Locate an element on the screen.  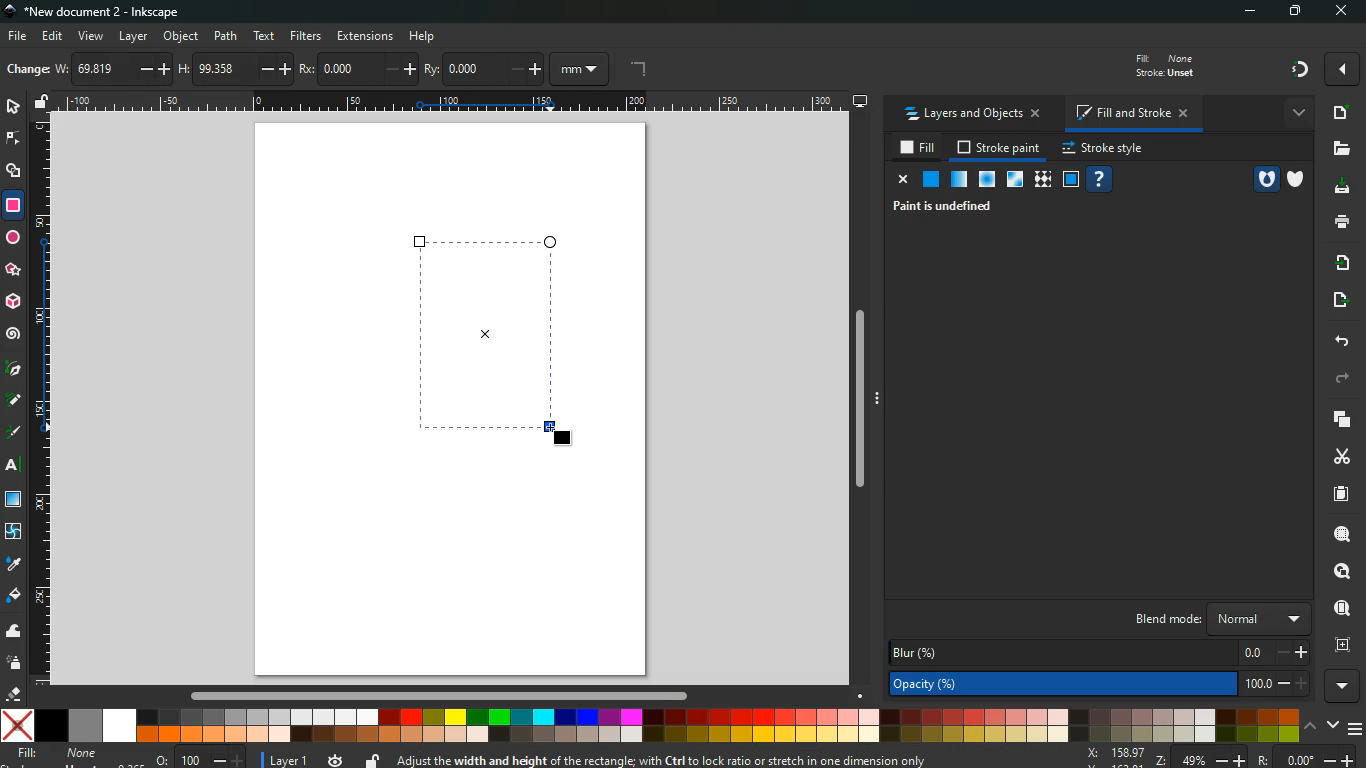
rectangle is located at coordinates (15, 204).